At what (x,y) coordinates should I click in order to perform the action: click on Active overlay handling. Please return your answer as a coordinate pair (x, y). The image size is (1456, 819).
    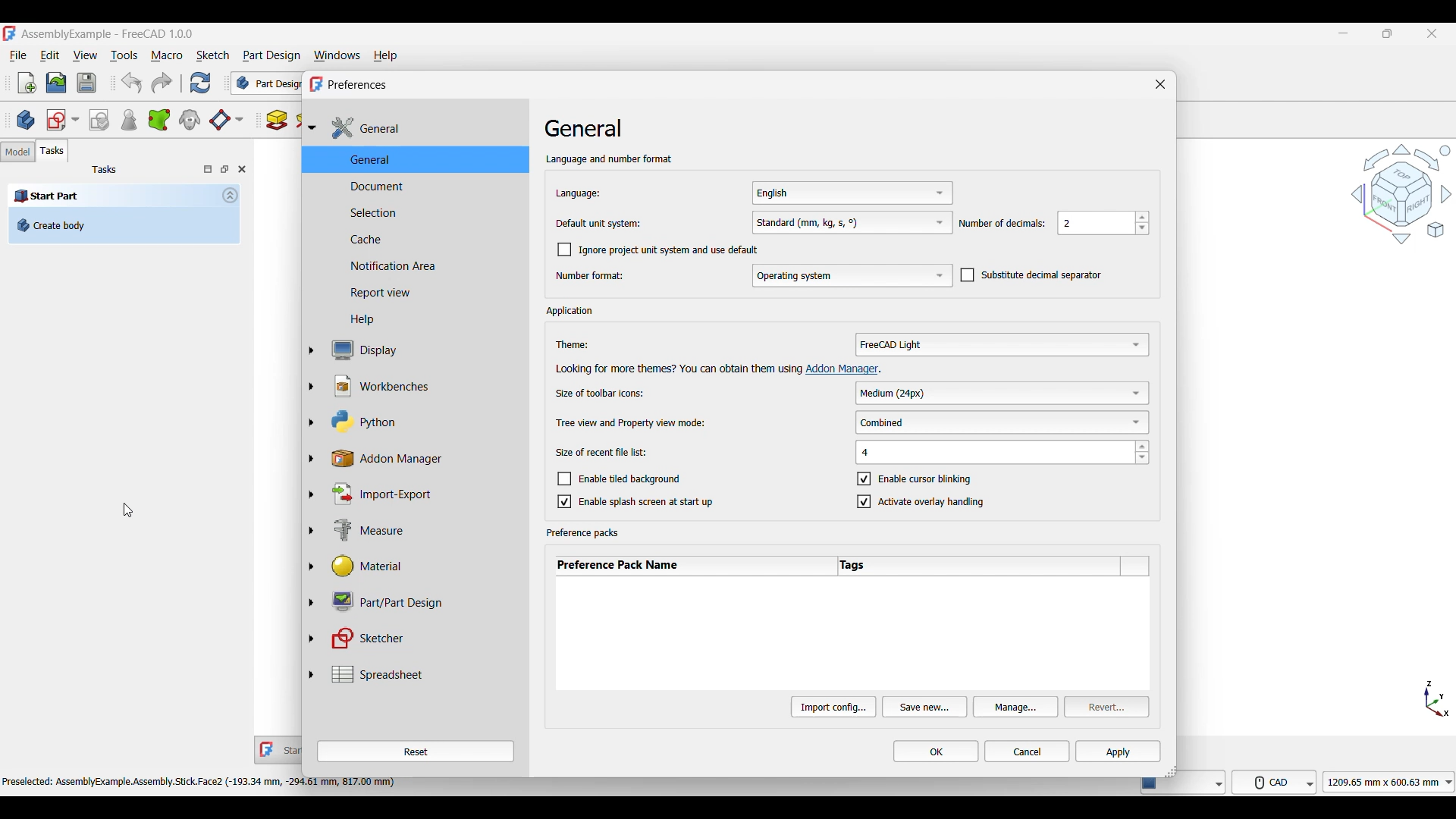
    Looking at the image, I should click on (922, 501).